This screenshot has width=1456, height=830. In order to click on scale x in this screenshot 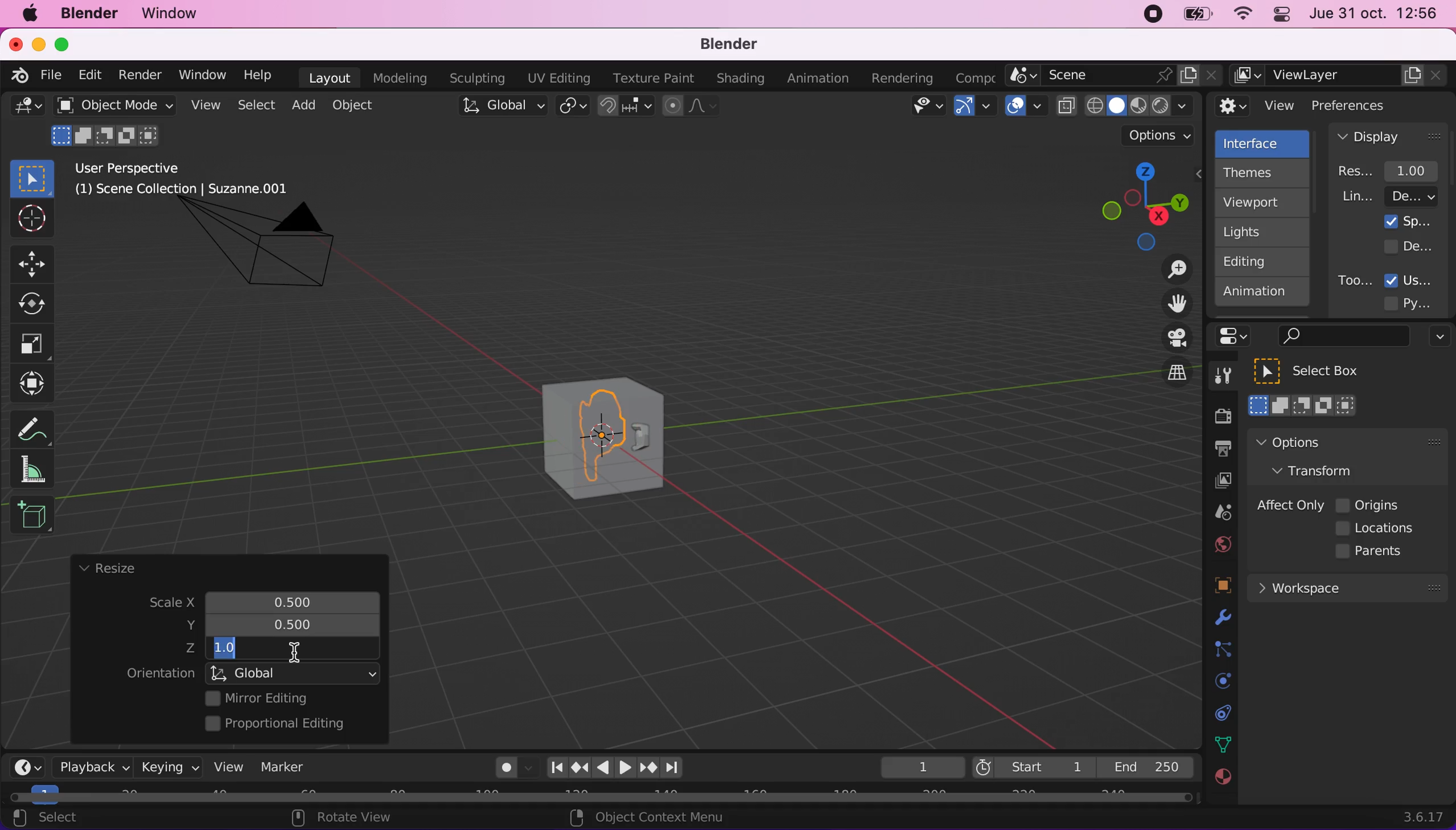, I will do `click(289, 599)`.